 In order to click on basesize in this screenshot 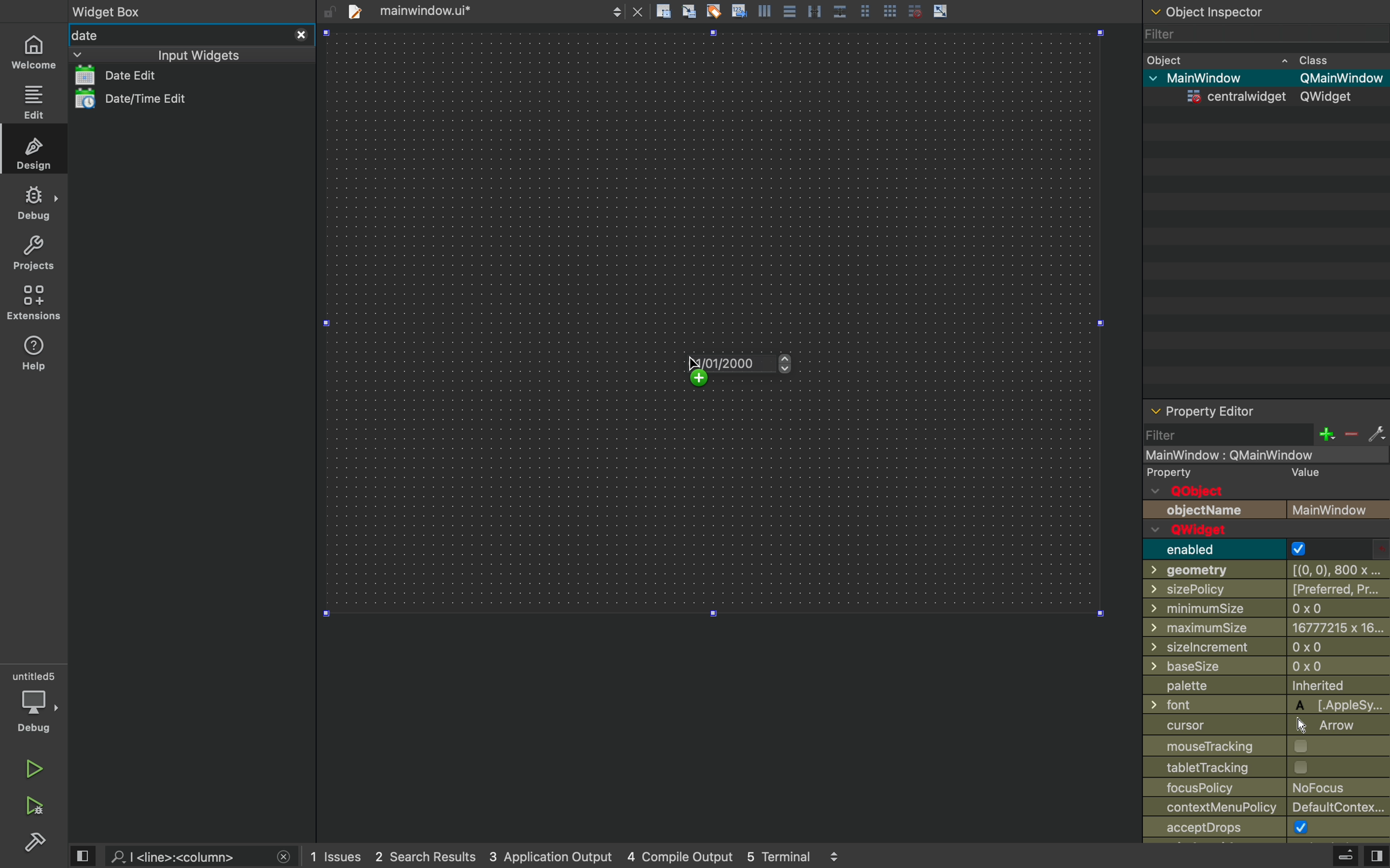, I will do `click(1261, 666)`.